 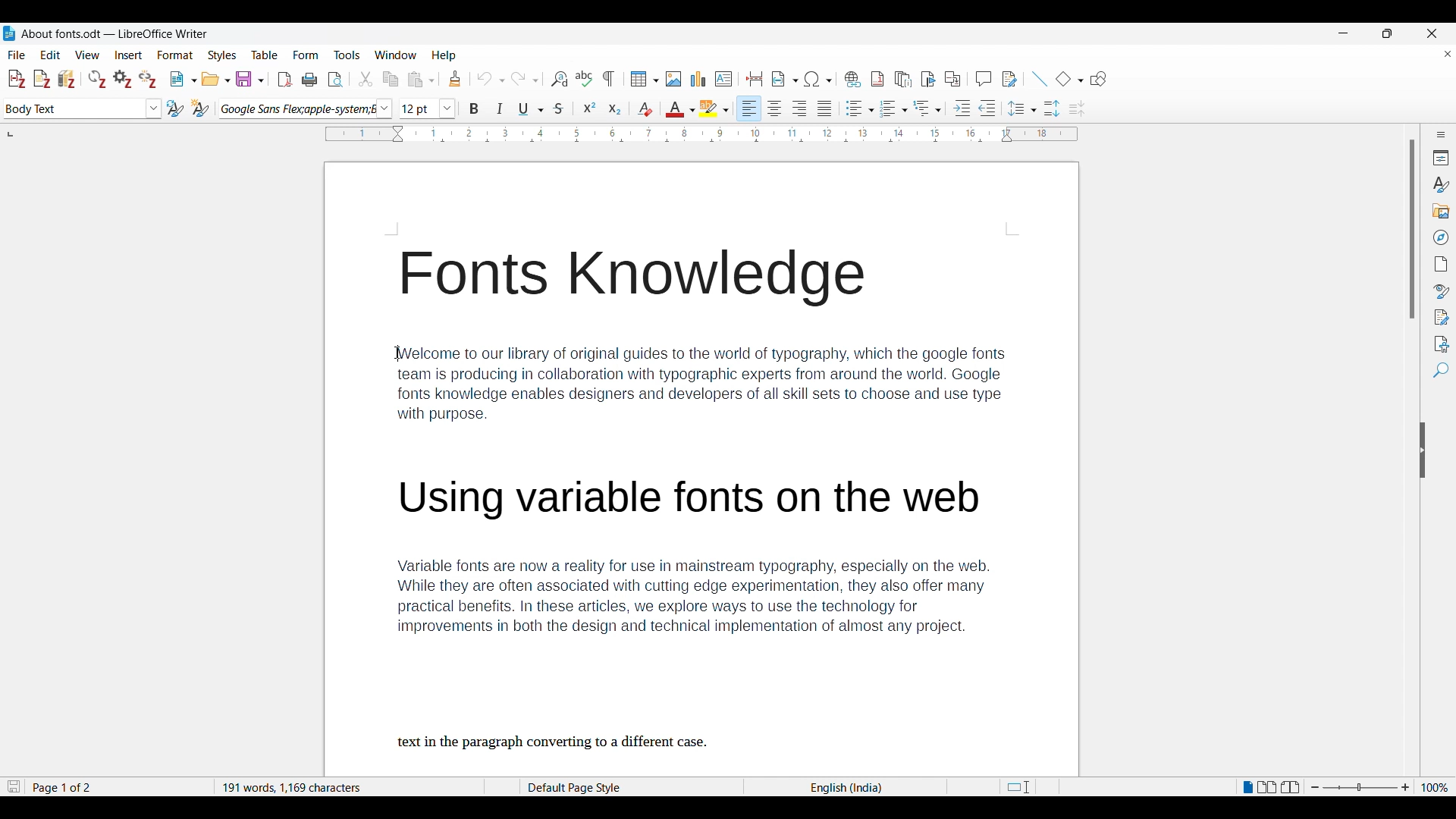 What do you see at coordinates (698, 78) in the screenshot?
I see `Insert graph` at bounding box center [698, 78].